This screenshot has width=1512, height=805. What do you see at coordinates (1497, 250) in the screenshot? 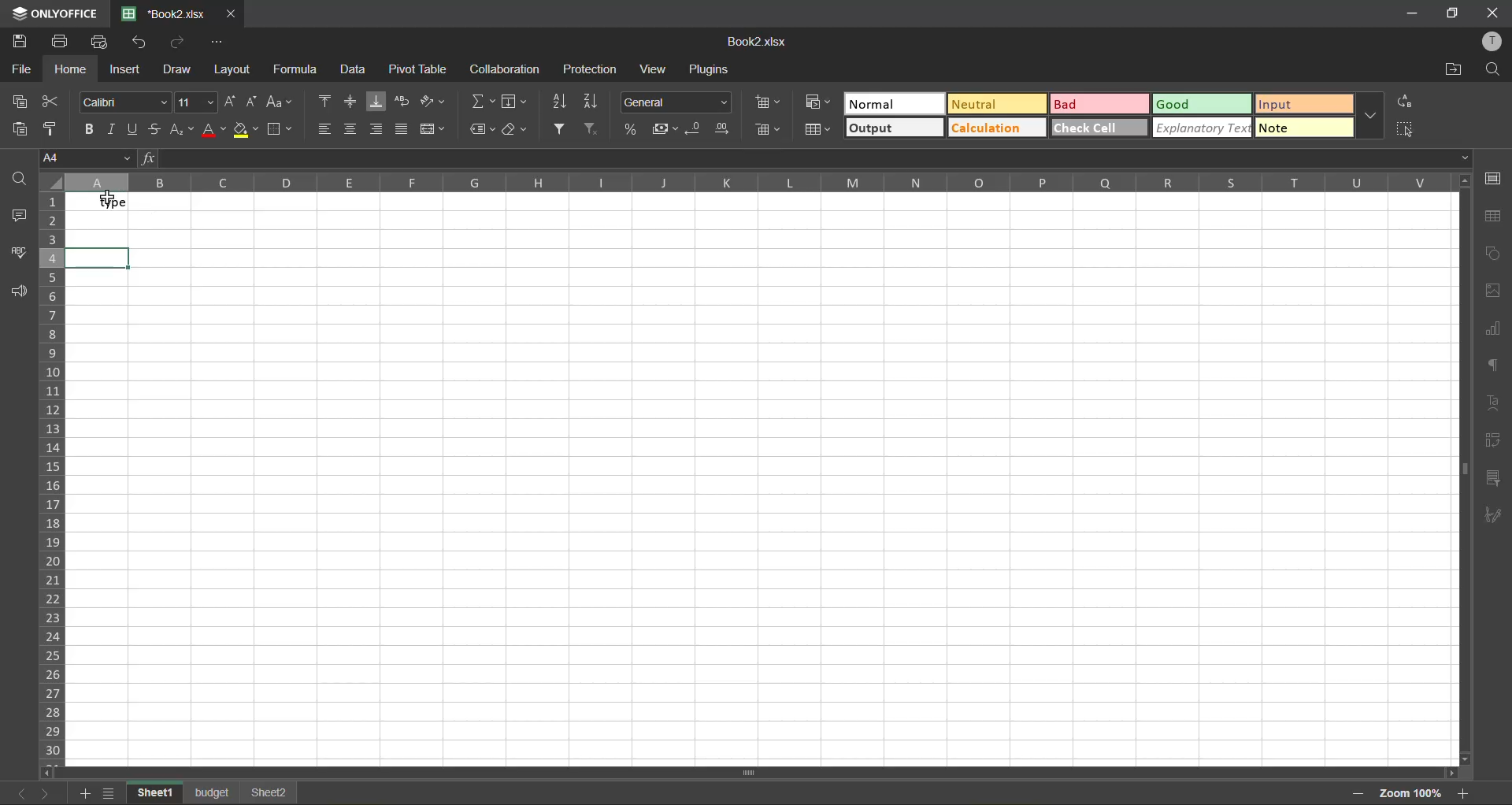
I see `shapes` at bounding box center [1497, 250].